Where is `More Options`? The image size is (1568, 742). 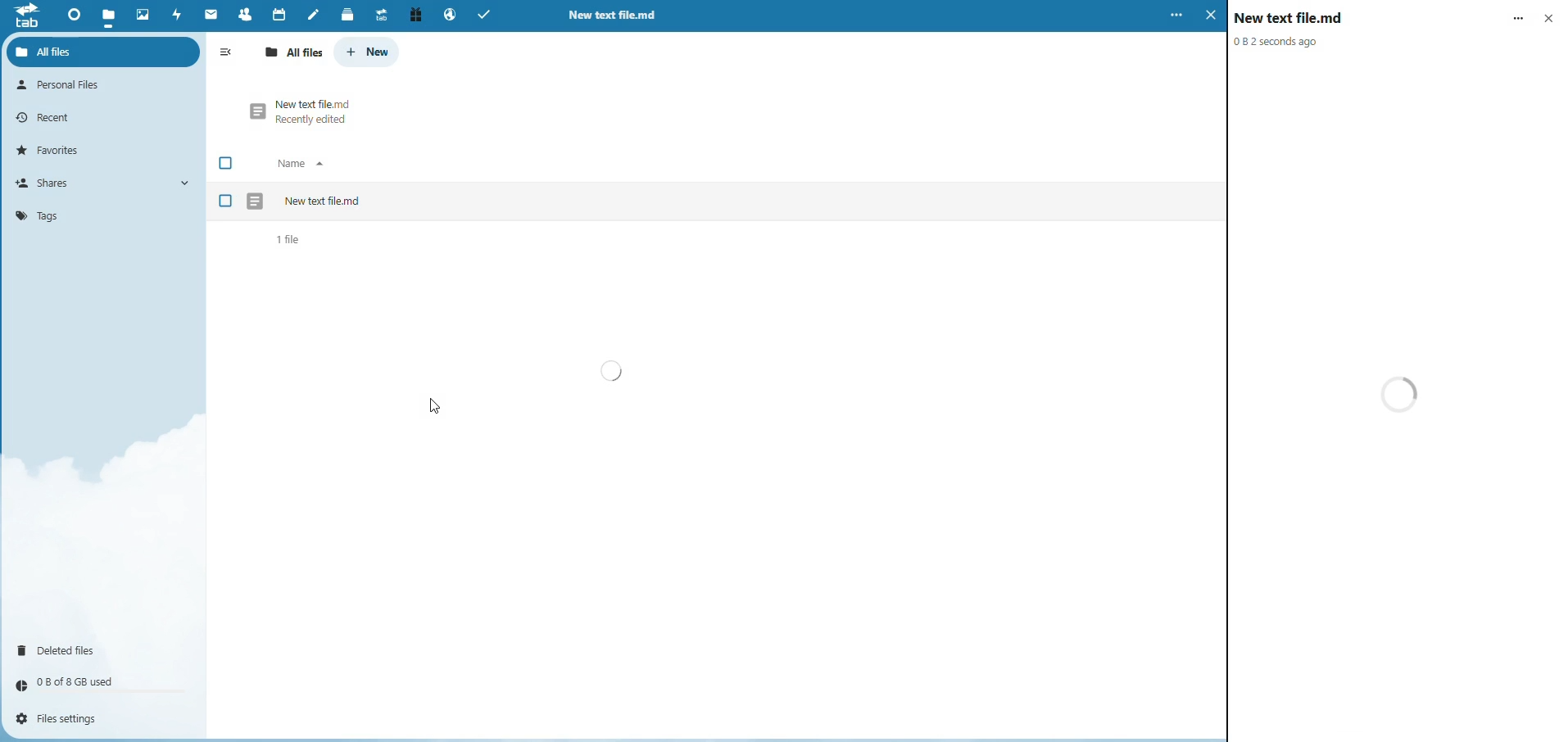
More Options is located at coordinates (1519, 16).